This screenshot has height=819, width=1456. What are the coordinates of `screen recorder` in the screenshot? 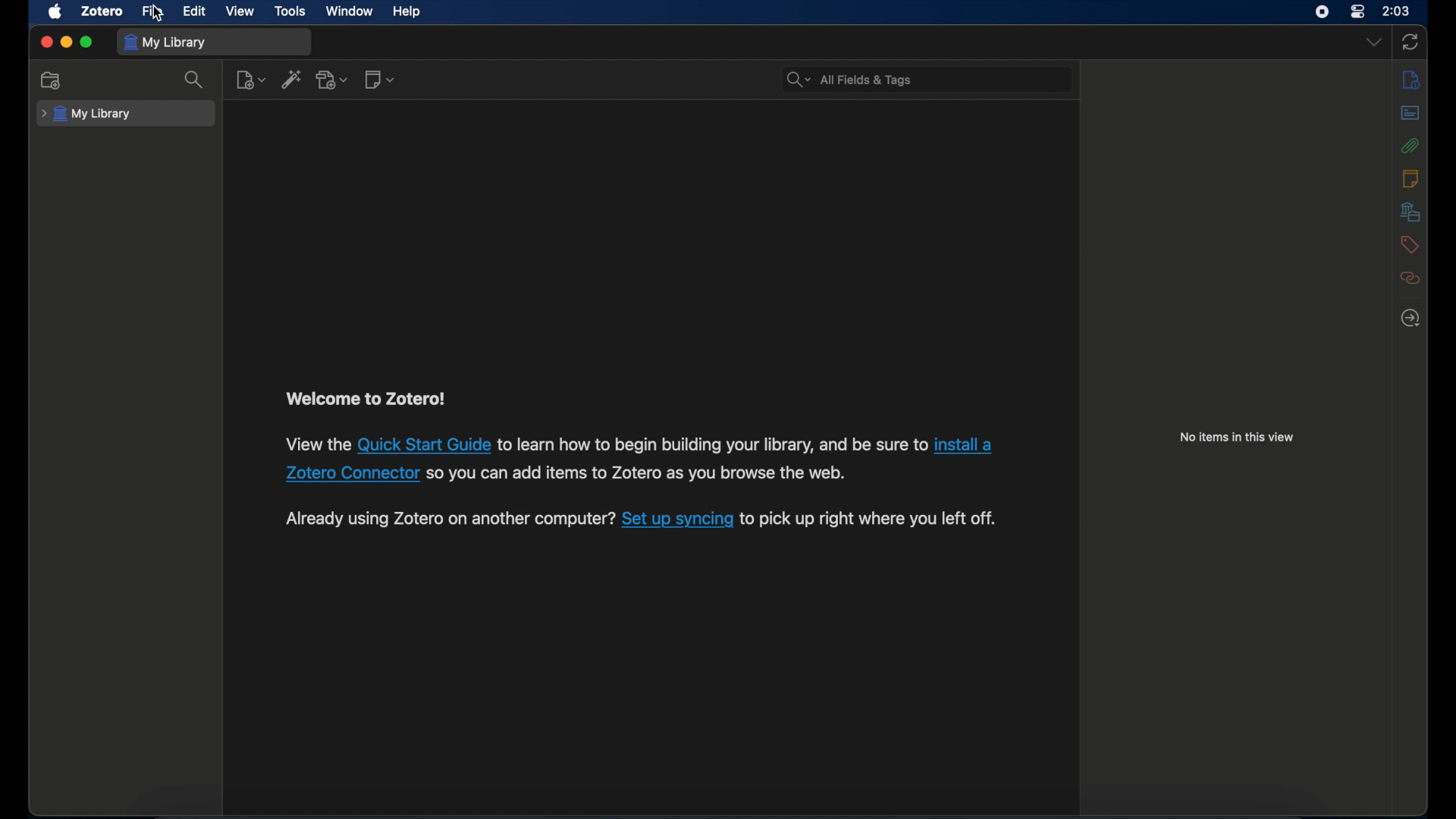 It's located at (1323, 12).